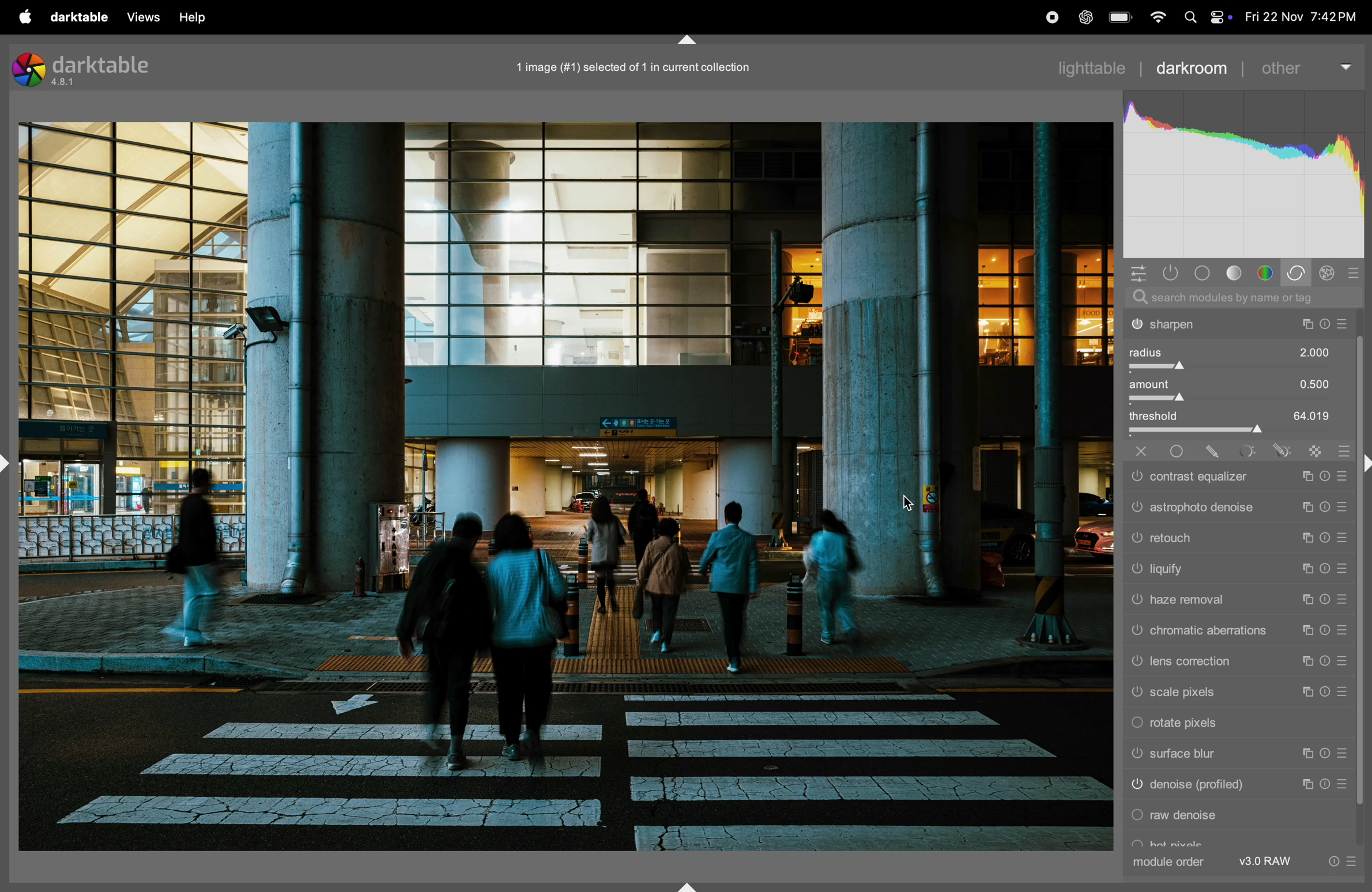 The height and width of the screenshot is (892, 1372). I want to click on darkroom, so click(1193, 69).